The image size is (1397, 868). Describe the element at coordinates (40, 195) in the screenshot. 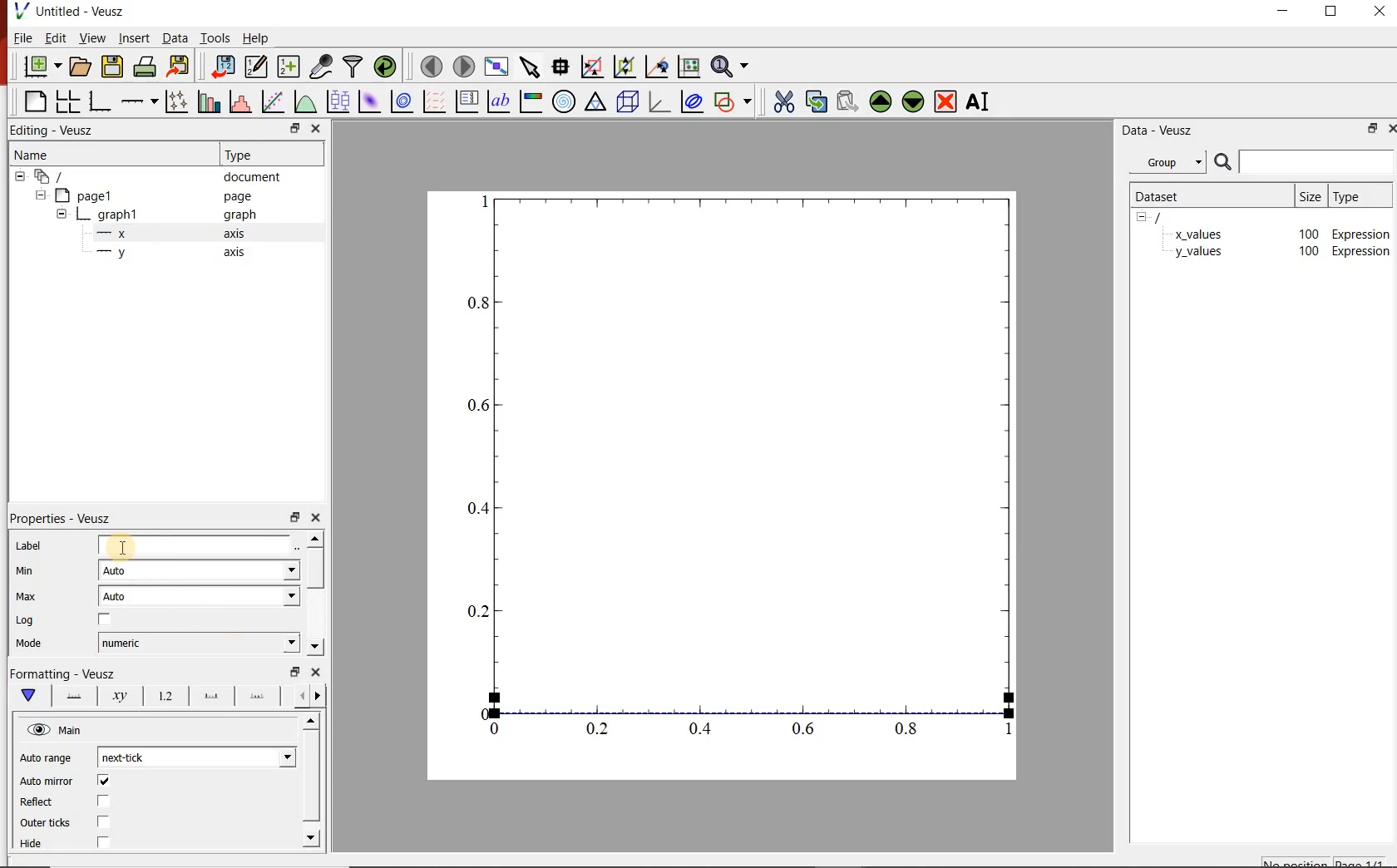

I see `hide` at that location.